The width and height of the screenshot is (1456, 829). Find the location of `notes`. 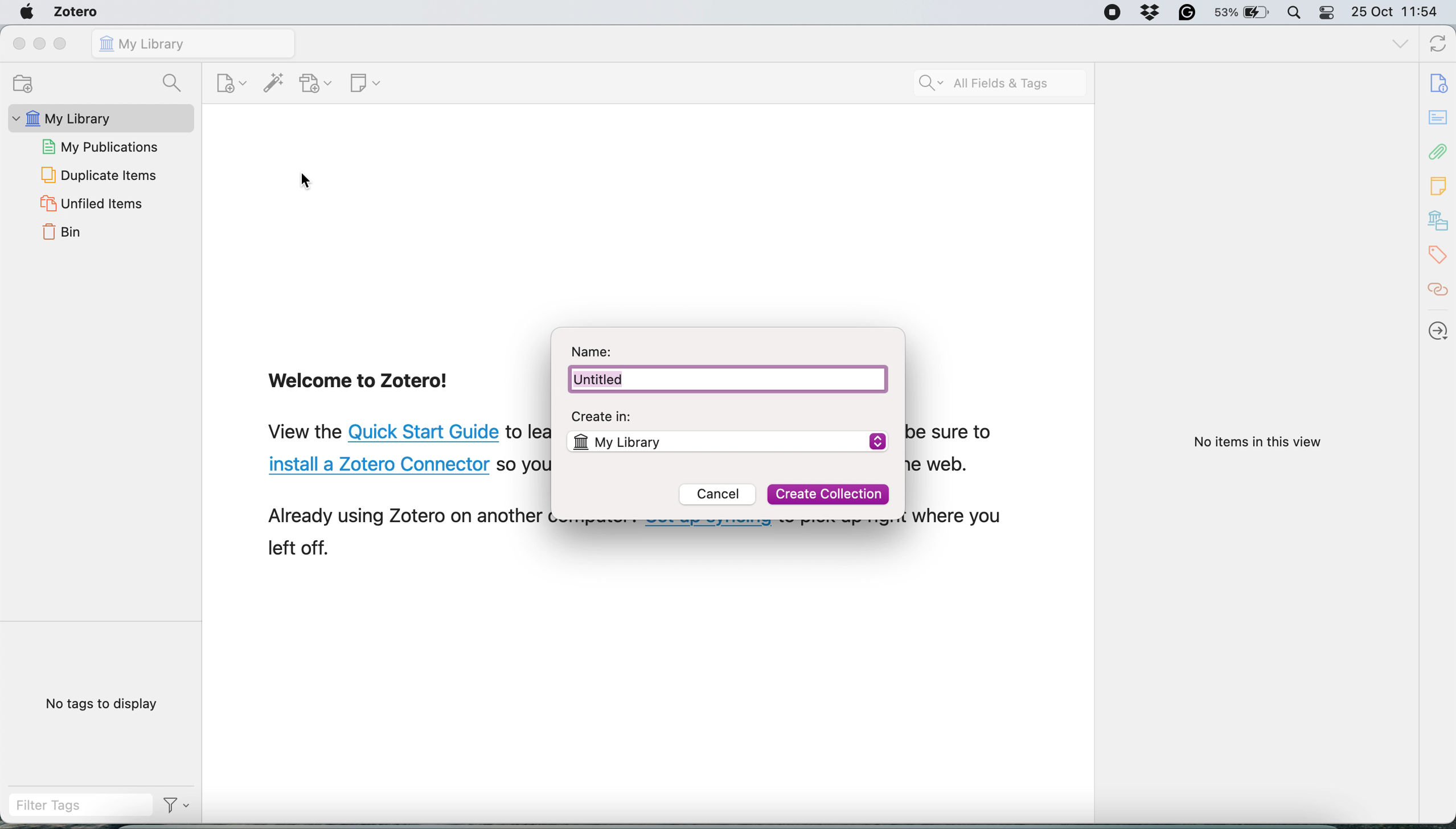

notes is located at coordinates (1439, 186).